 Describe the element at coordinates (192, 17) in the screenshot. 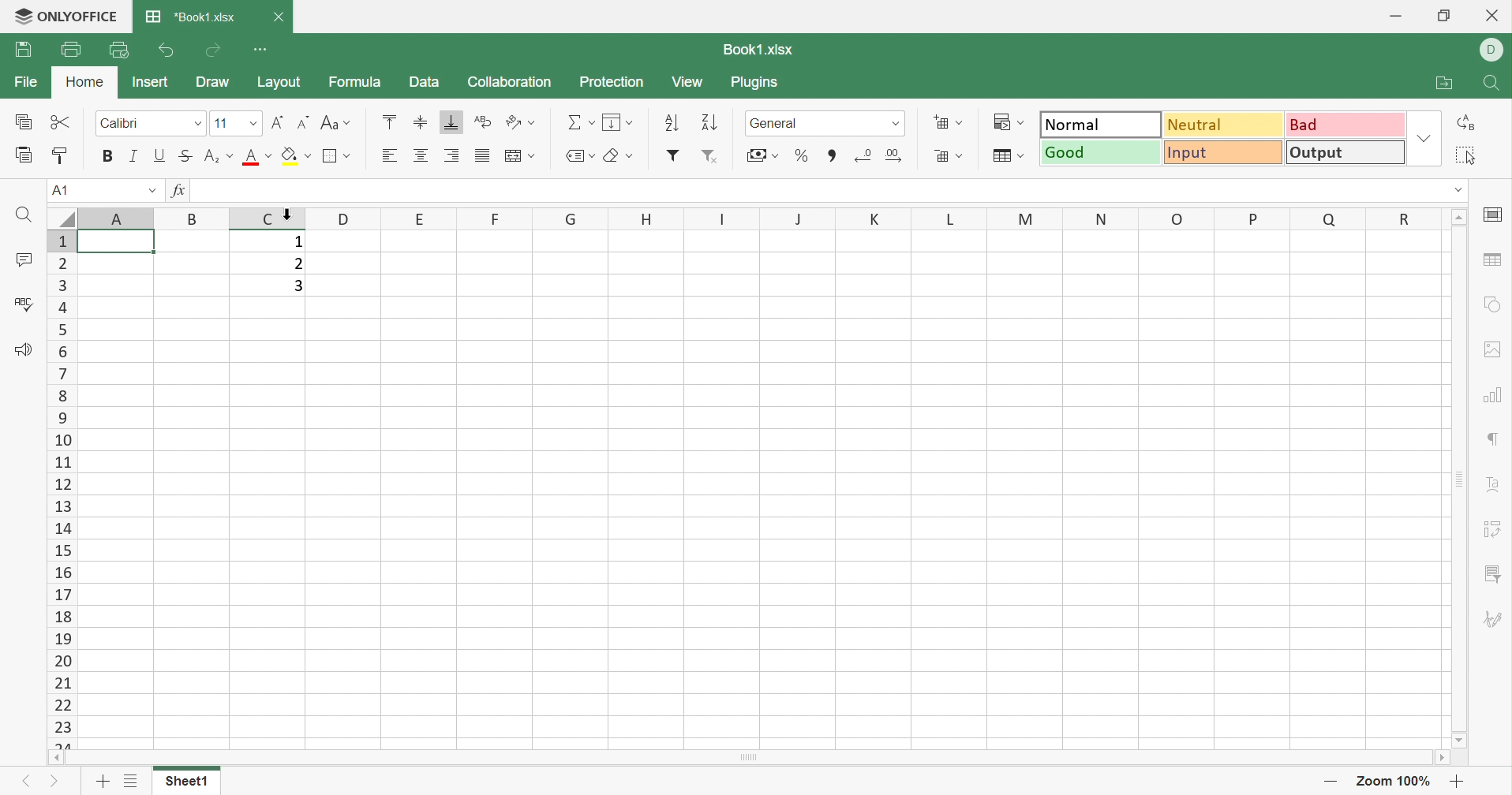

I see `*Book1.xlsx` at that location.